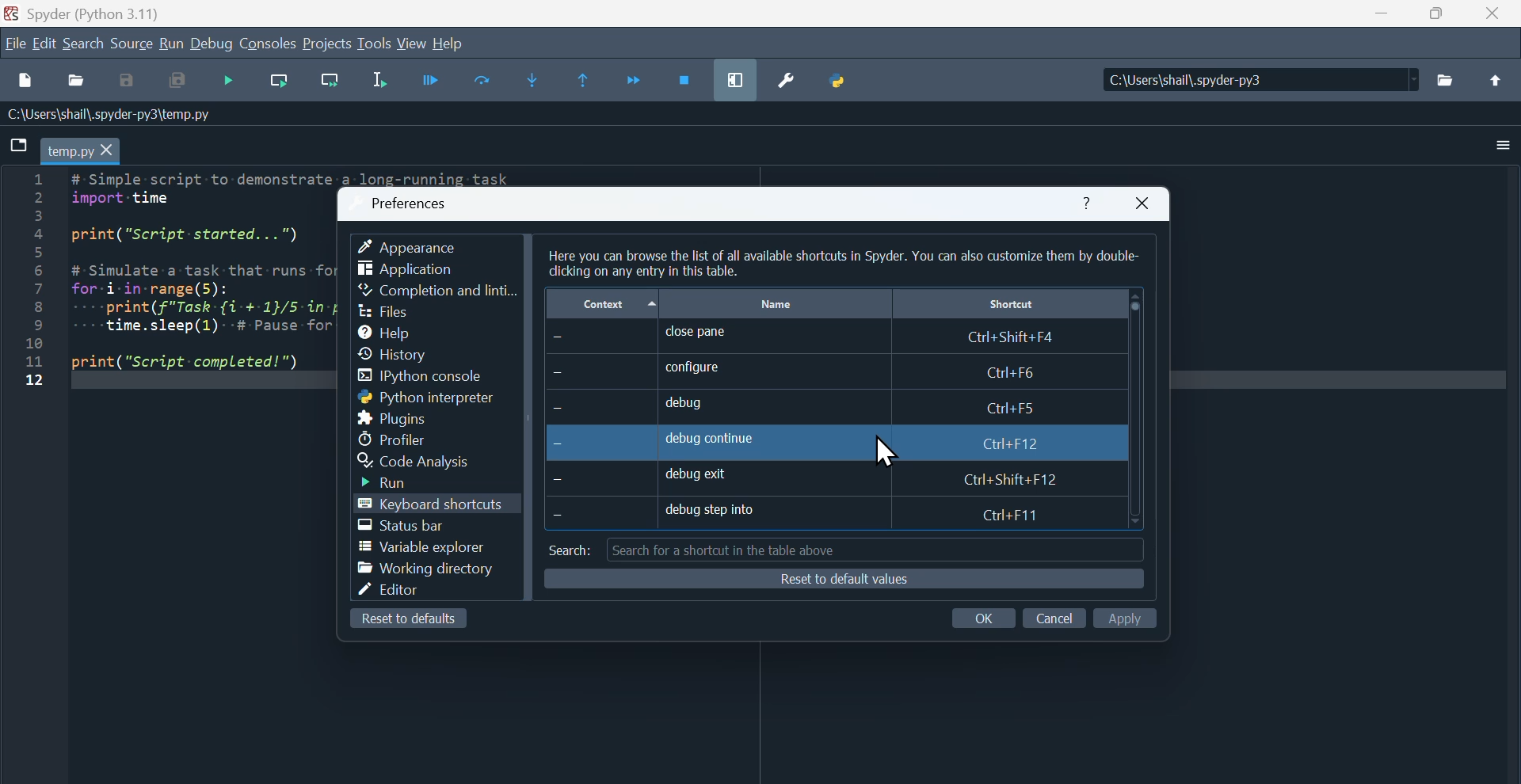 The height and width of the screenshot is (784, 1521). I want to click on help, so click(1087, 198).